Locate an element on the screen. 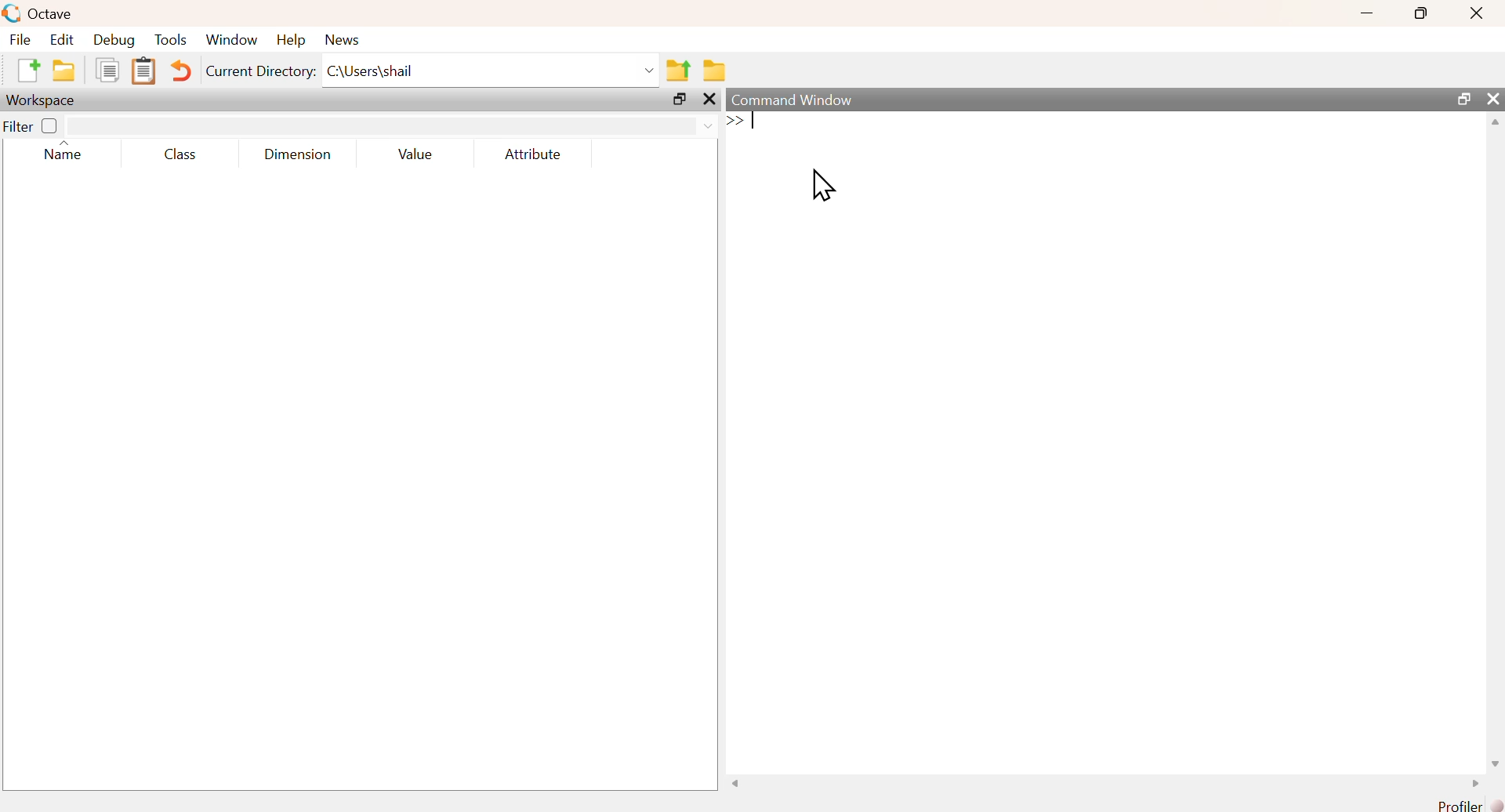  Value is located at coordinates (416, 154).